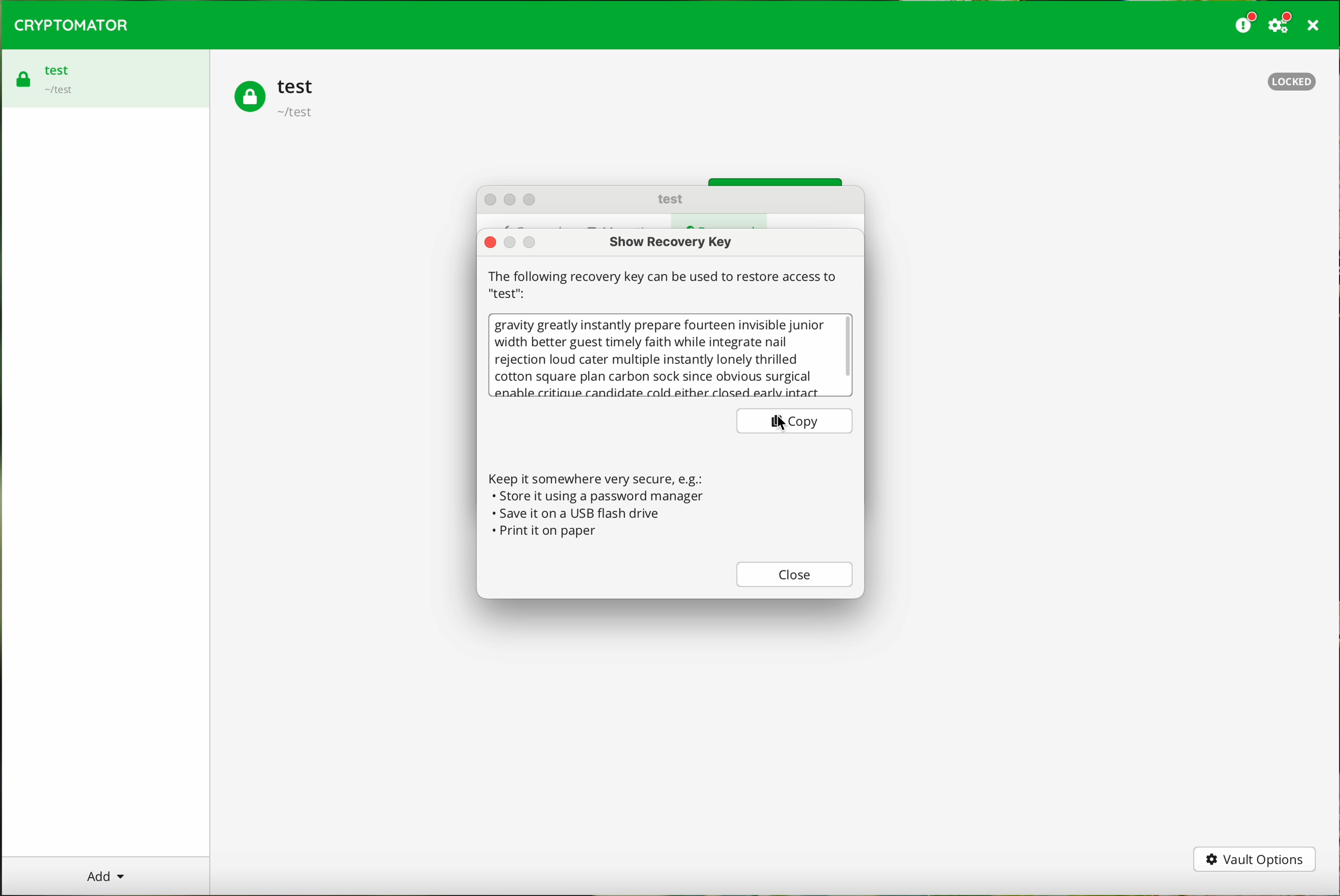 The image size is (1340, 896). What do you see at coordinates (490, 242) in the screenshot?
I see `close popup` at bounding box center [490, 242].